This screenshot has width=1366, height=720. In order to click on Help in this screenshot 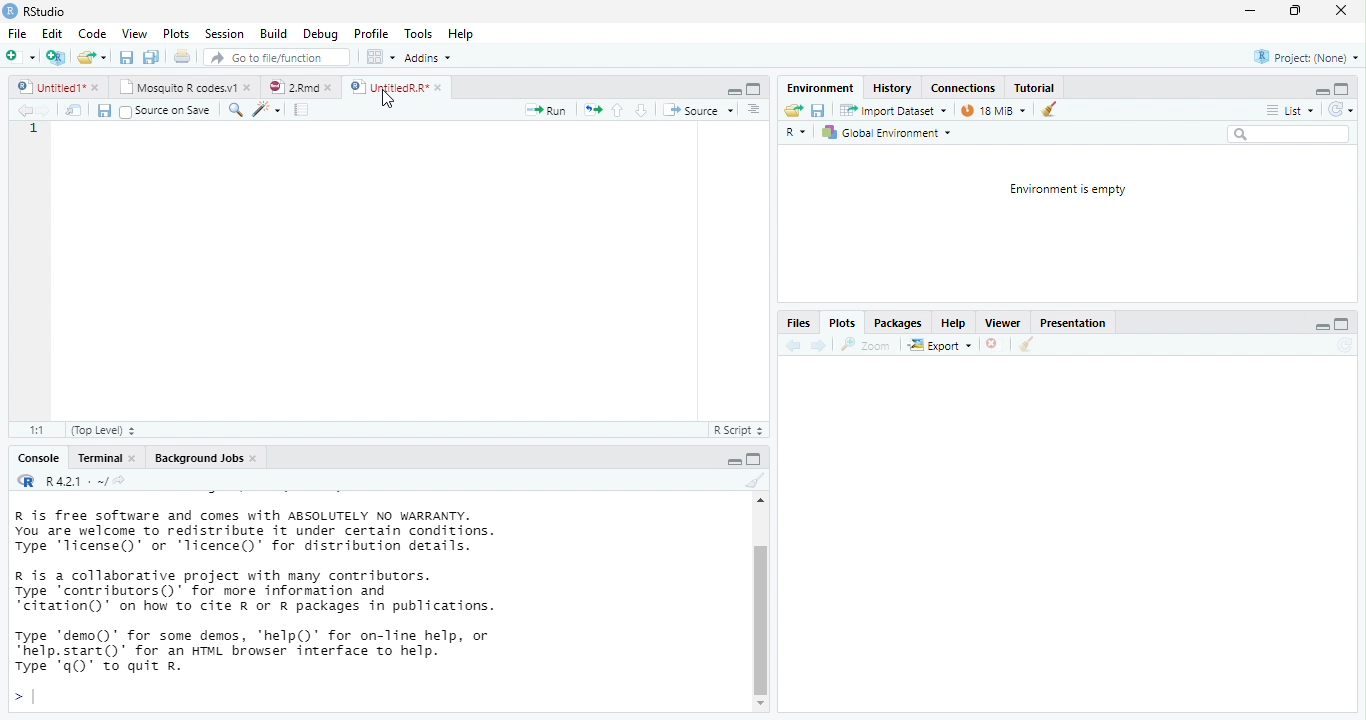, I will do `click(951, 323)`.